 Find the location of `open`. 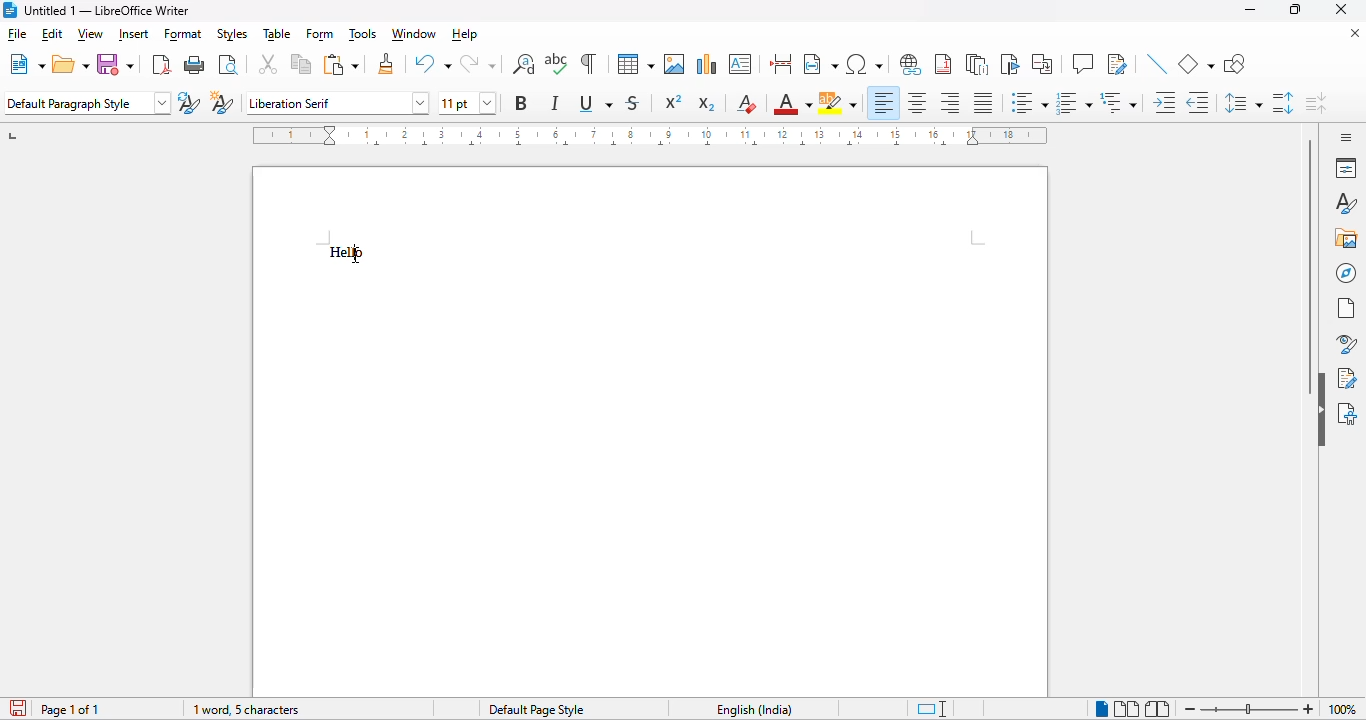

open is located at coordinates (73, 65).